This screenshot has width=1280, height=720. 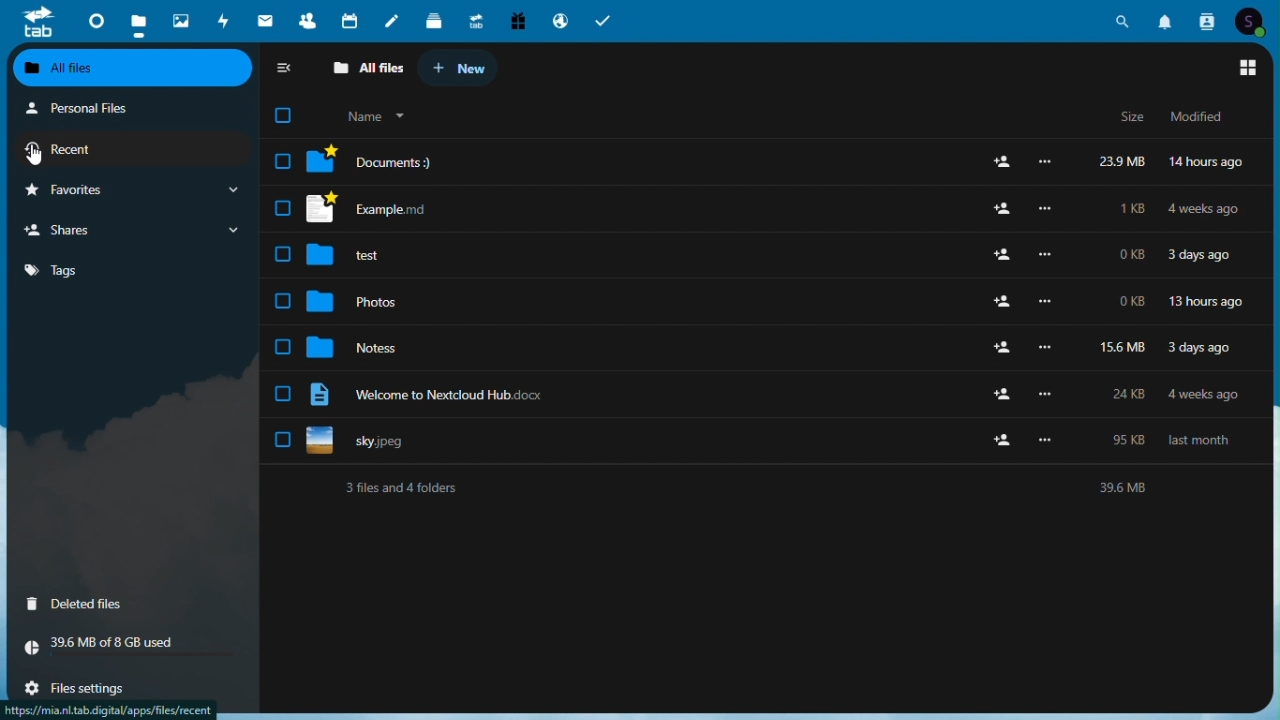 What do you see at coordinates (264, 20) in the screenshot?
I see `mail` at bounding box center [264, 20].